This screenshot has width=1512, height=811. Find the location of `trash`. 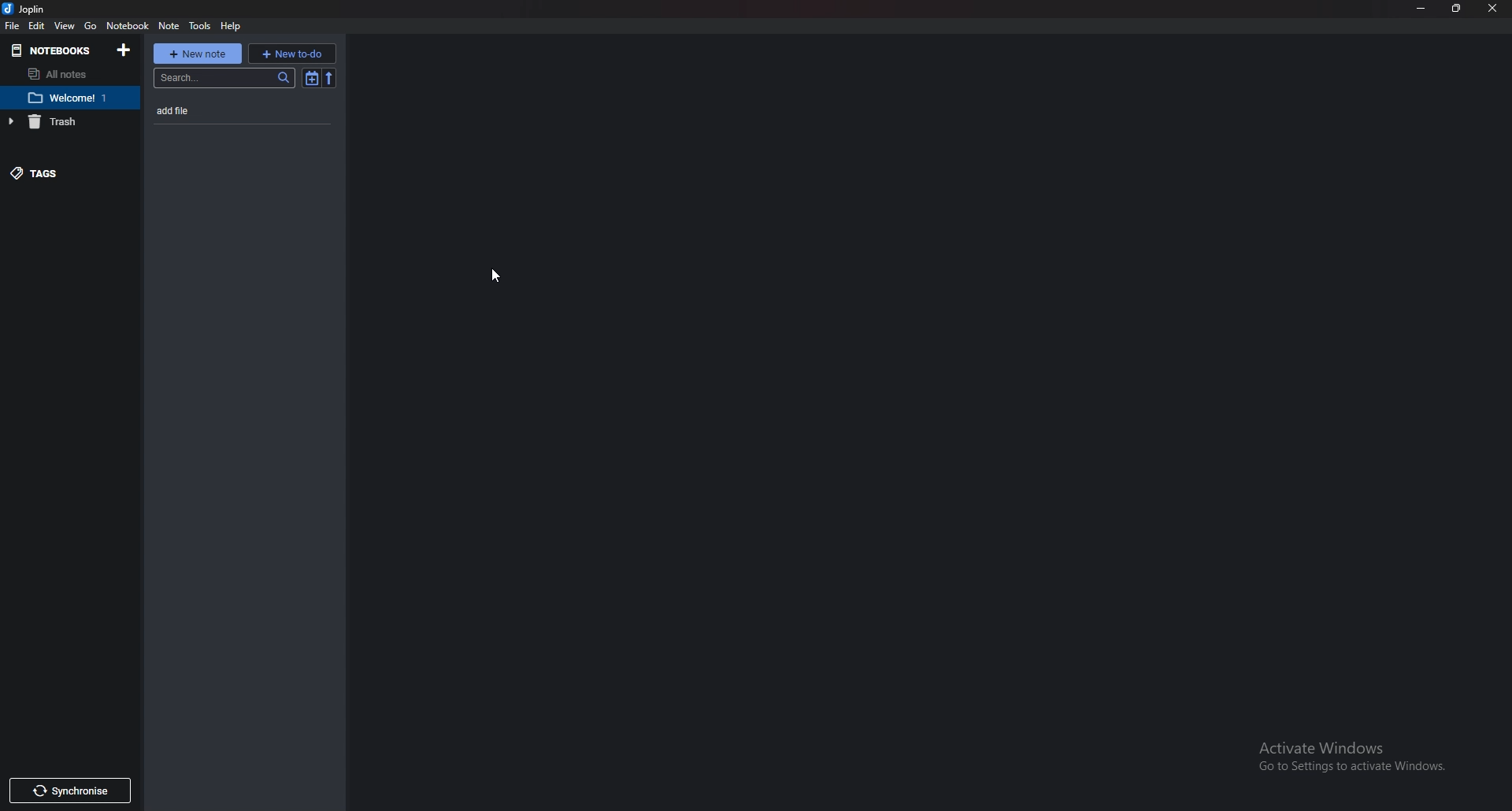

trash is located at coordinates (61, 122).